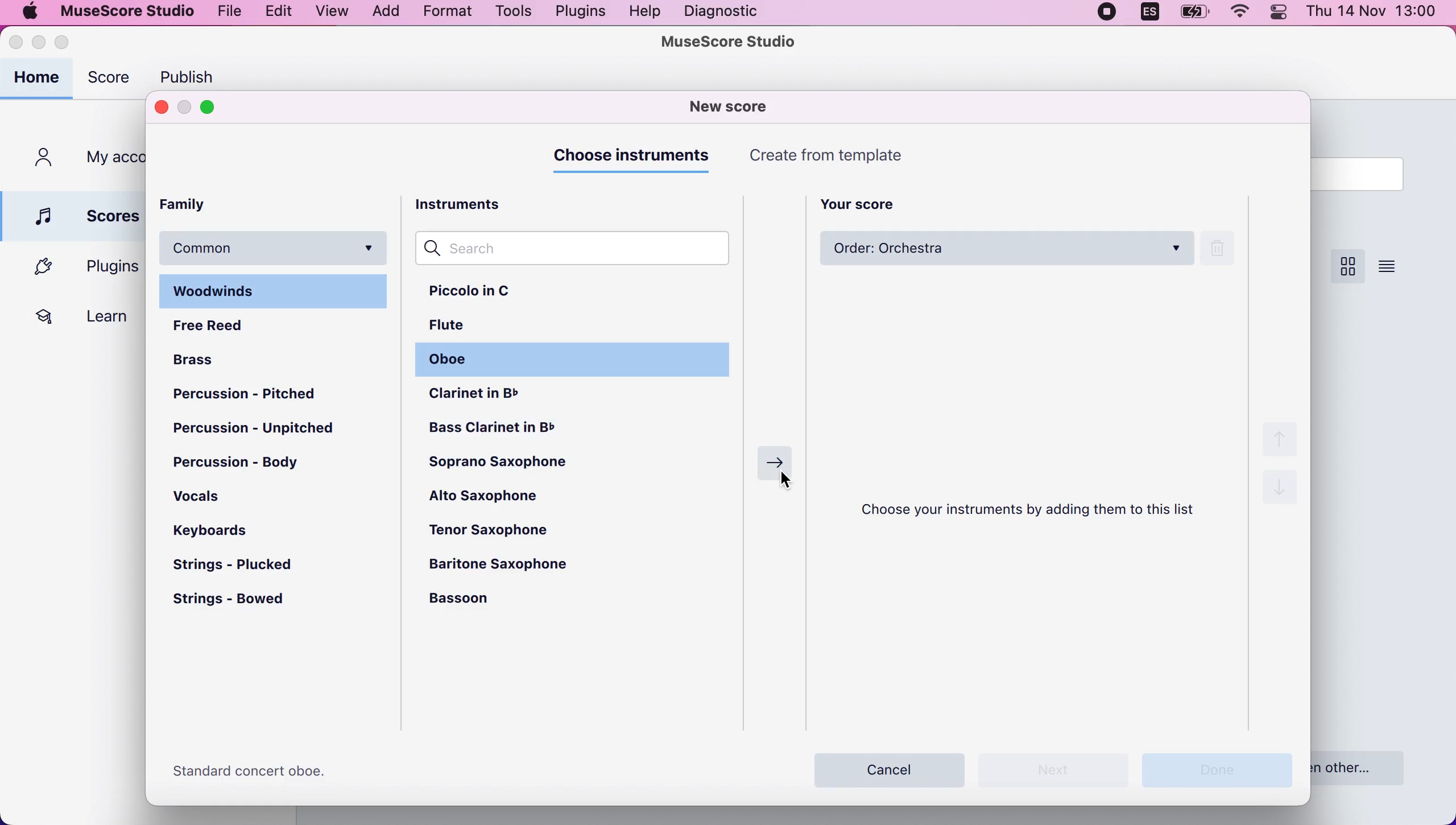 The height and width of the screenshot is (825, 1456). What do you see at coordinates (528, 467) in the screenshot?
I see `soprano saxophone` at bounding box center [528, 467].